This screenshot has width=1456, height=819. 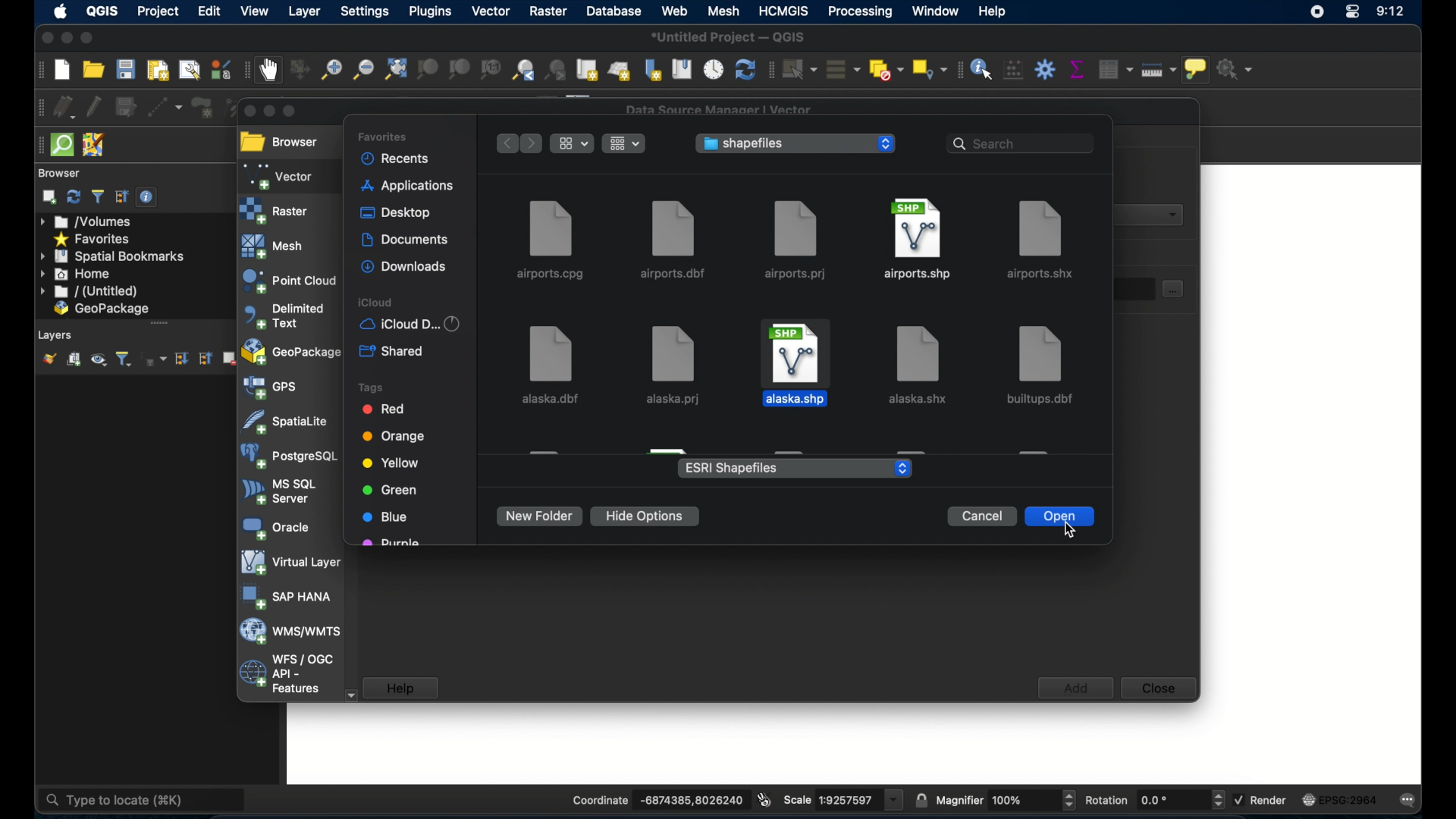 What do you see at coordinates (1392, 12) in the screenshot?
I see `time` at bounding box center [1392, 12].